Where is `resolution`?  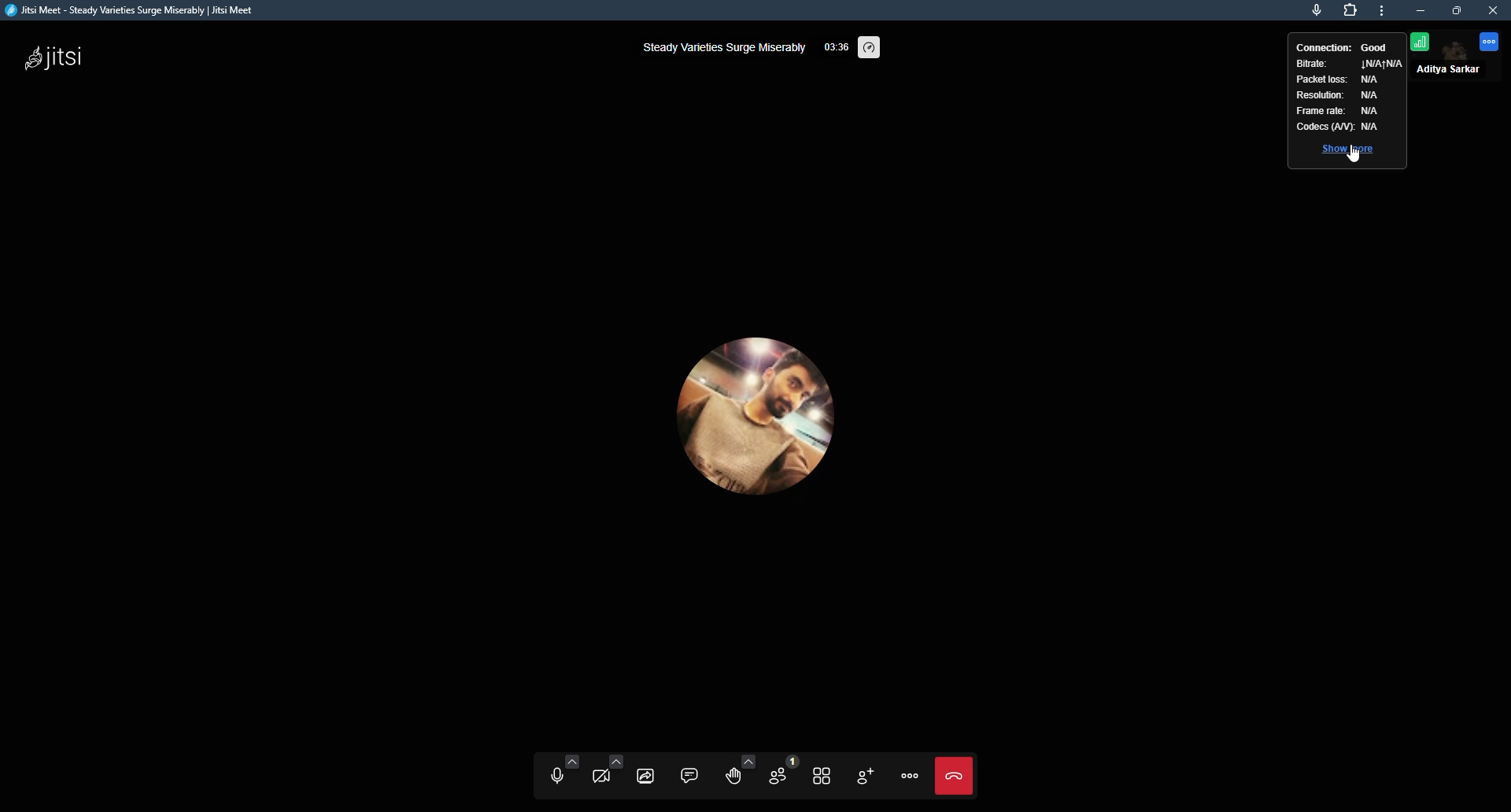 resolution is located at coordinates (1316, 96).